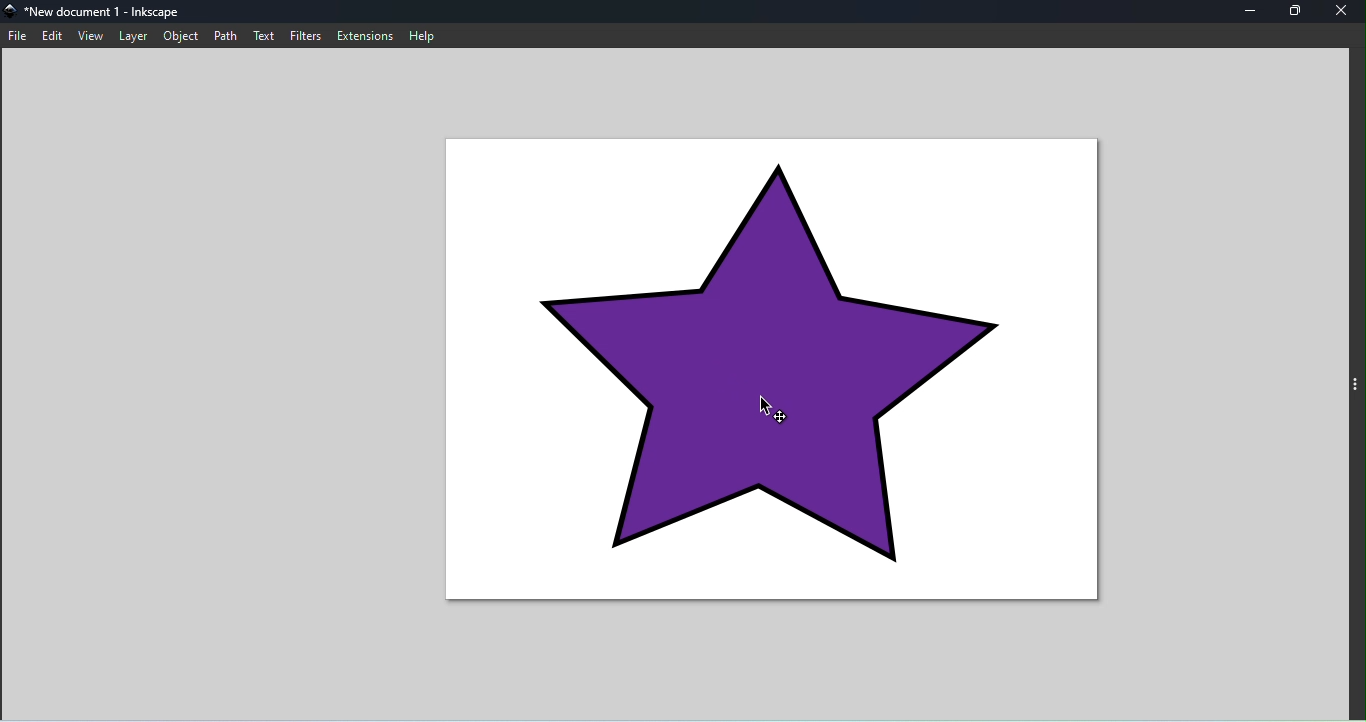  What do you see at coordinates (778, 378) in the screenshot?
I see `Canvas` at bounding box center [778, 378].